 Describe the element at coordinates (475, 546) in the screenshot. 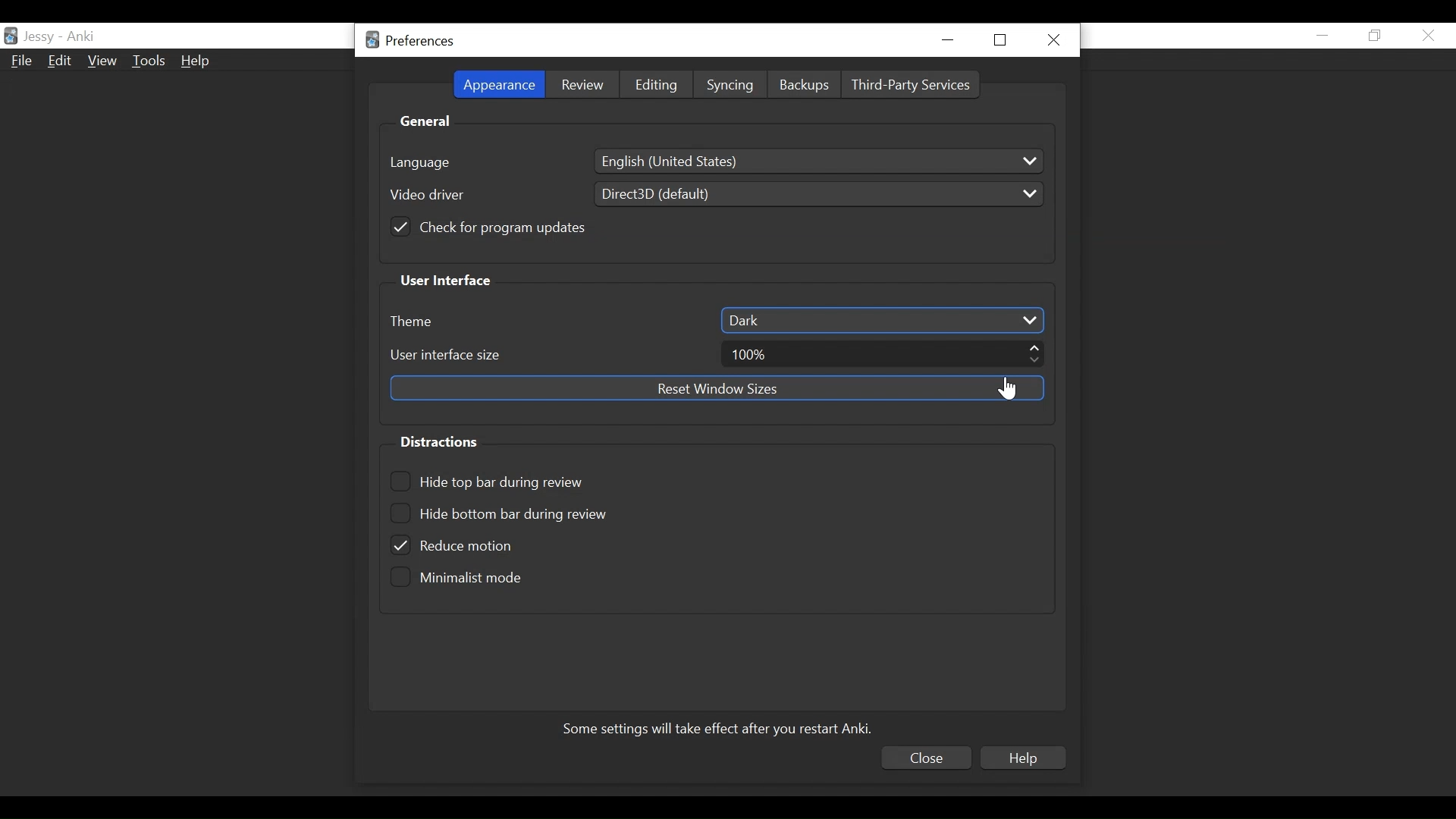

I see `(un)select Reduce motion` at that location.